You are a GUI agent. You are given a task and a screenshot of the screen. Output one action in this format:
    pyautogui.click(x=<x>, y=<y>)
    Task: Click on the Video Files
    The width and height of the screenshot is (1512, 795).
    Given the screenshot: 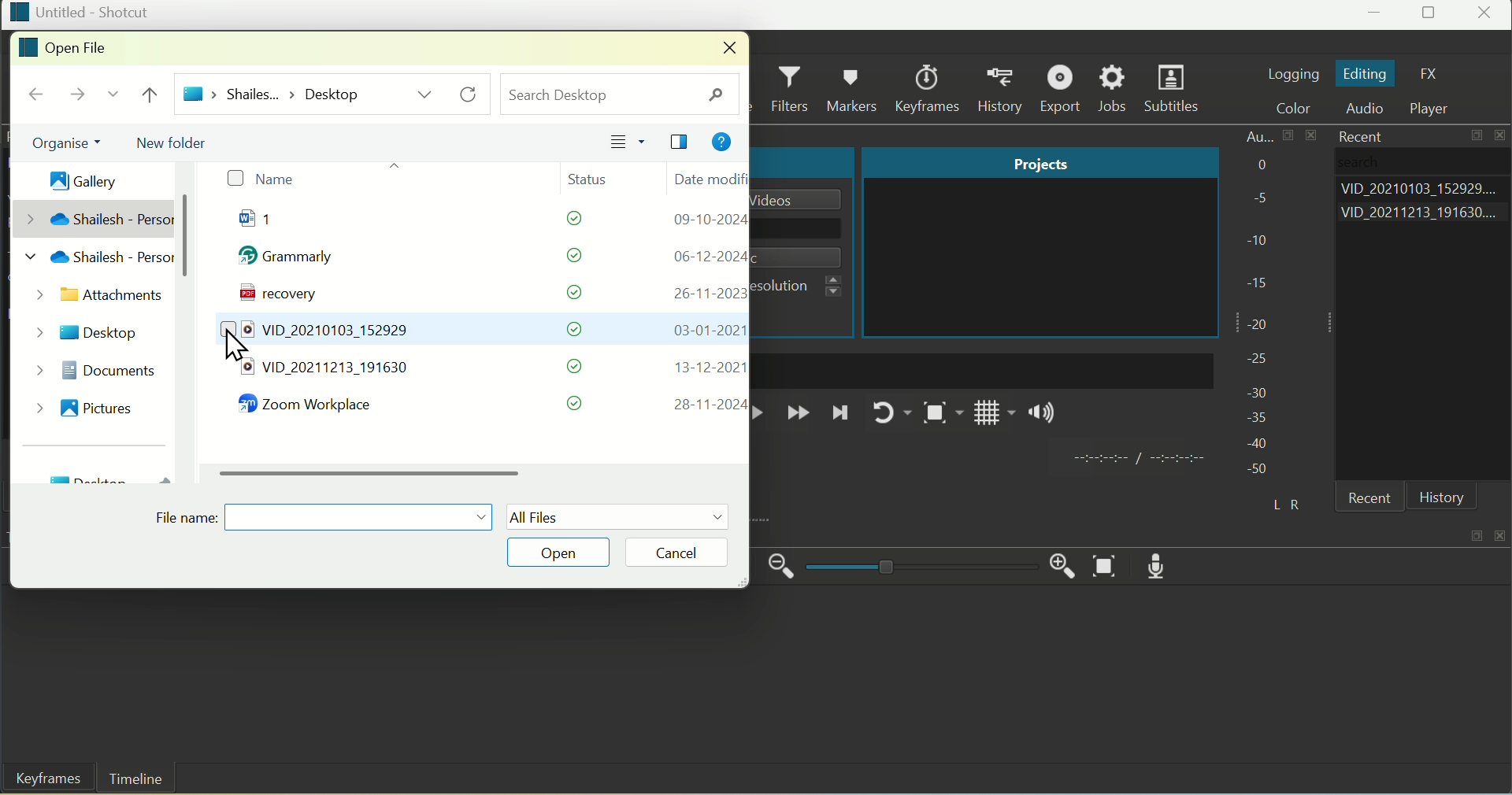 What is the action you would take?
    pyautogui.click(x=320, y=348)
    